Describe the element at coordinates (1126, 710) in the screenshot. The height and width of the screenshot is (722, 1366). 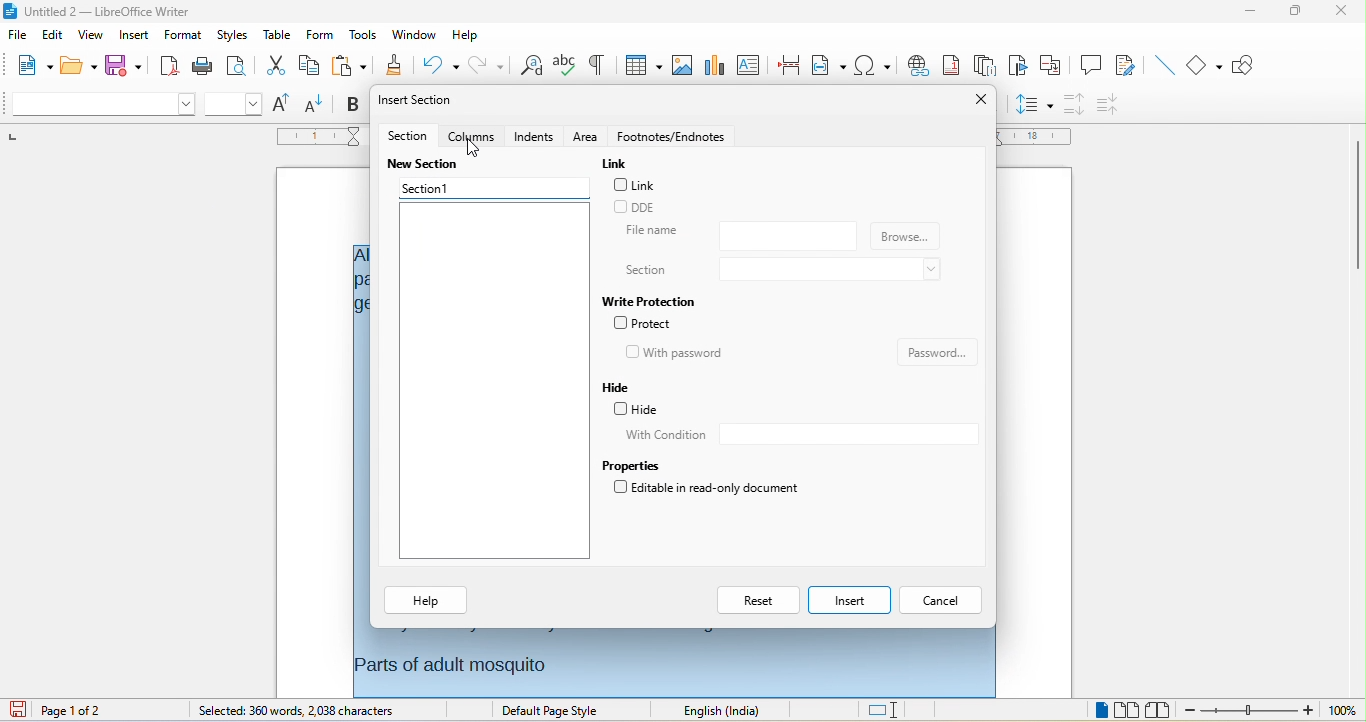
I see `multiple page view` at that location.